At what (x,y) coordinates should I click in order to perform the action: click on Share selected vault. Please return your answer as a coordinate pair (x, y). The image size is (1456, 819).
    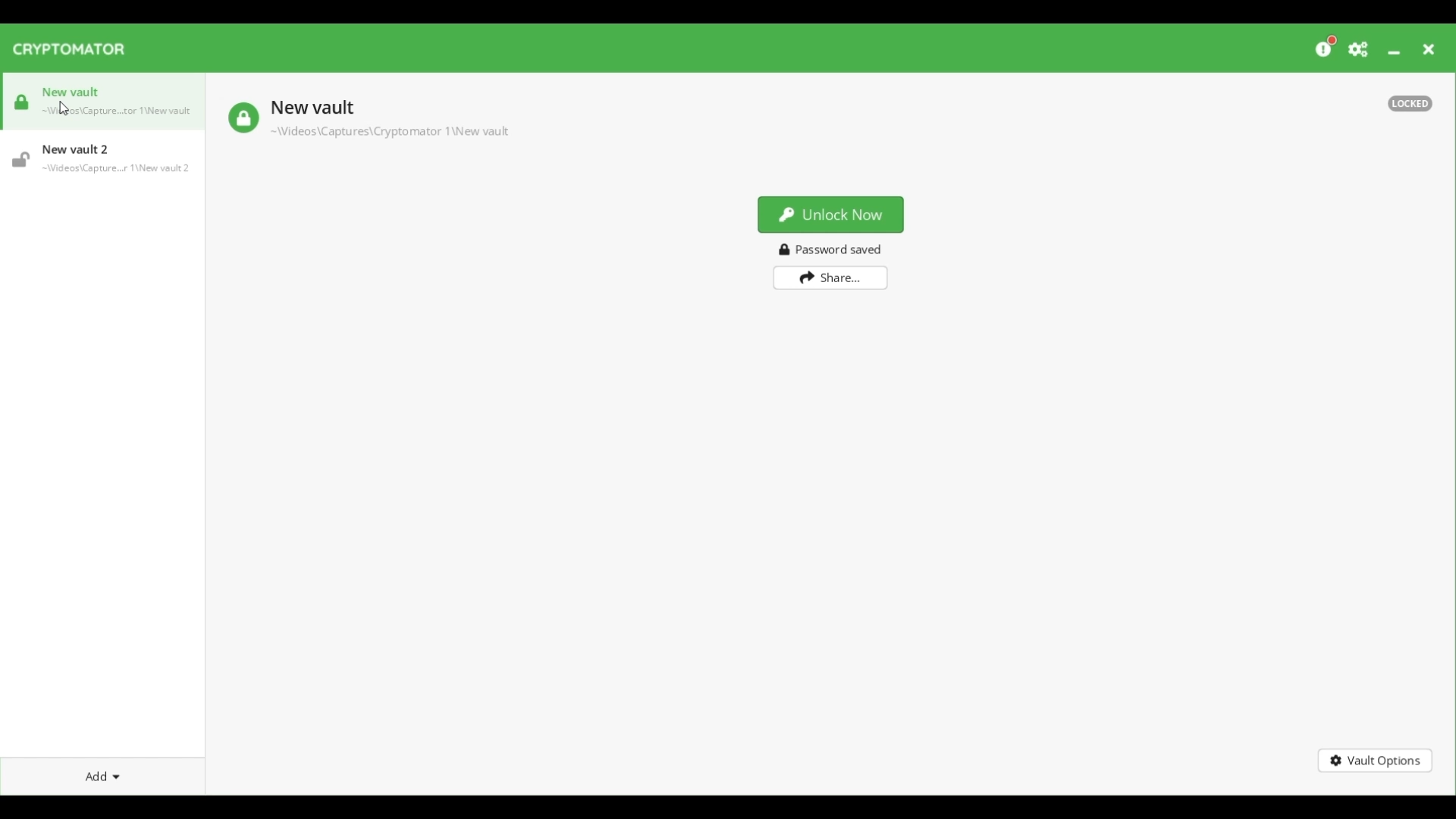
    Looking at the image, I should click on (831, 278).